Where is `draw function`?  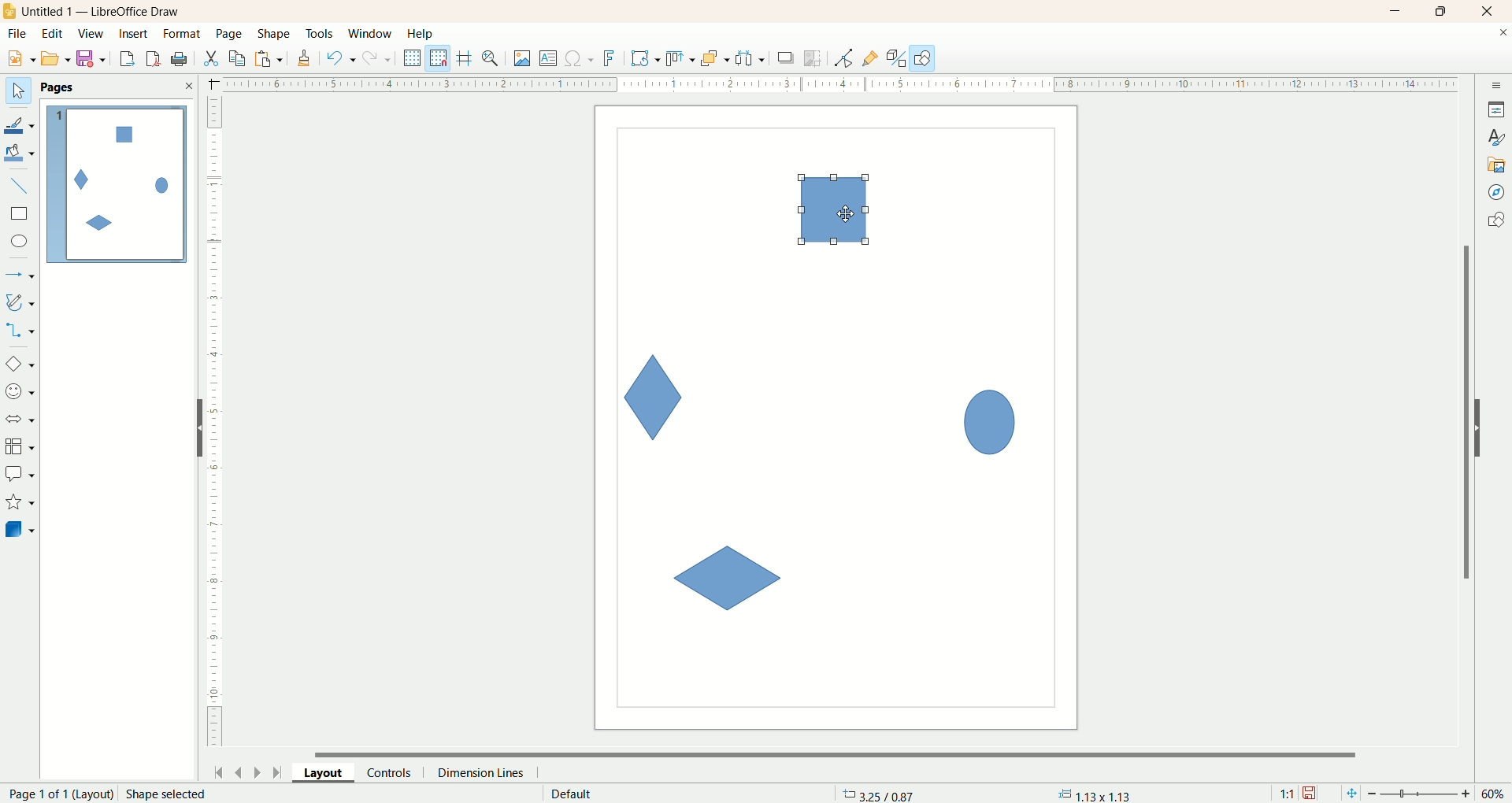
draw function is located at coordinates (923, 57).